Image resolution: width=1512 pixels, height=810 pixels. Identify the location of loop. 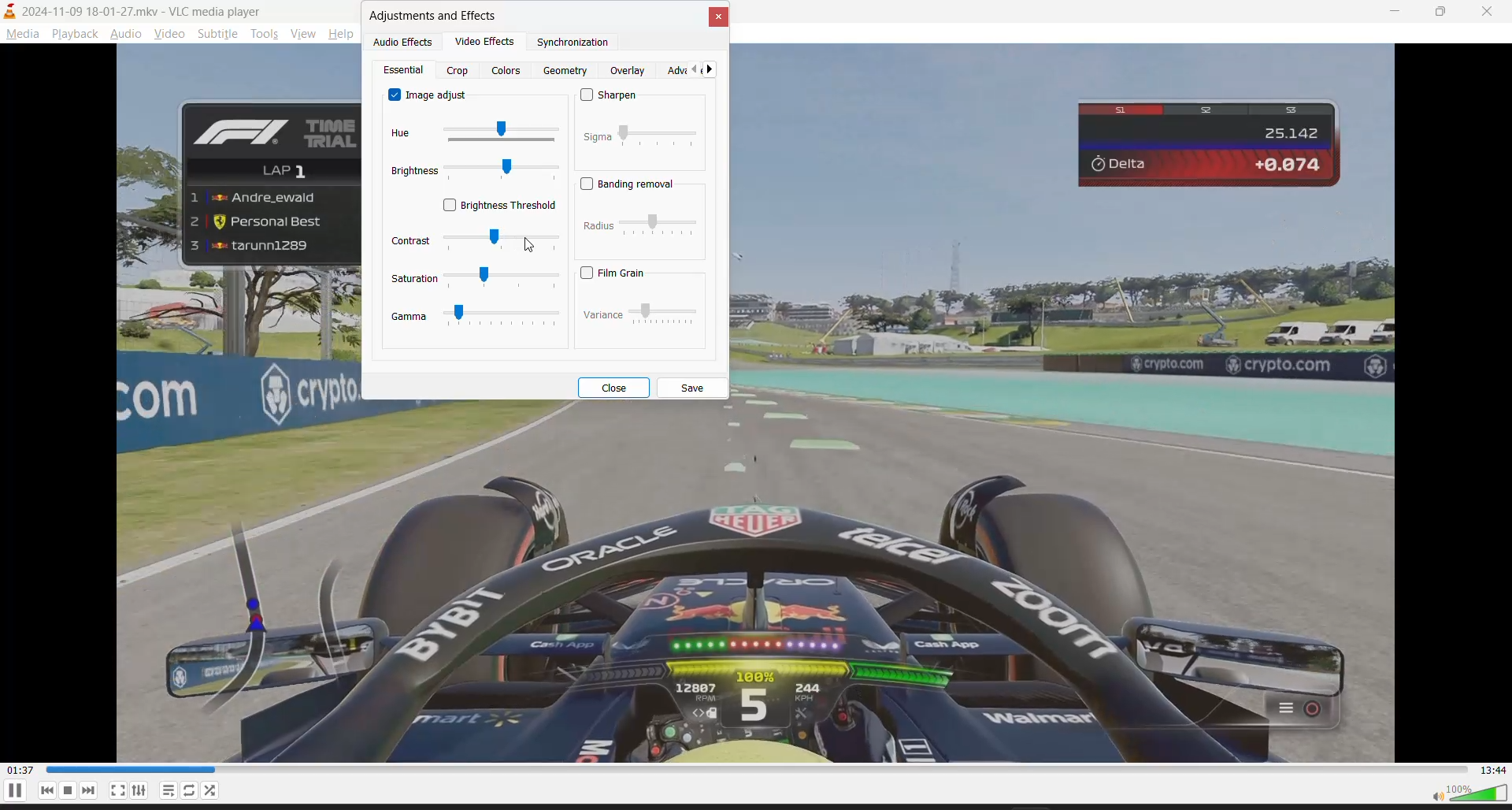
(193, 790).